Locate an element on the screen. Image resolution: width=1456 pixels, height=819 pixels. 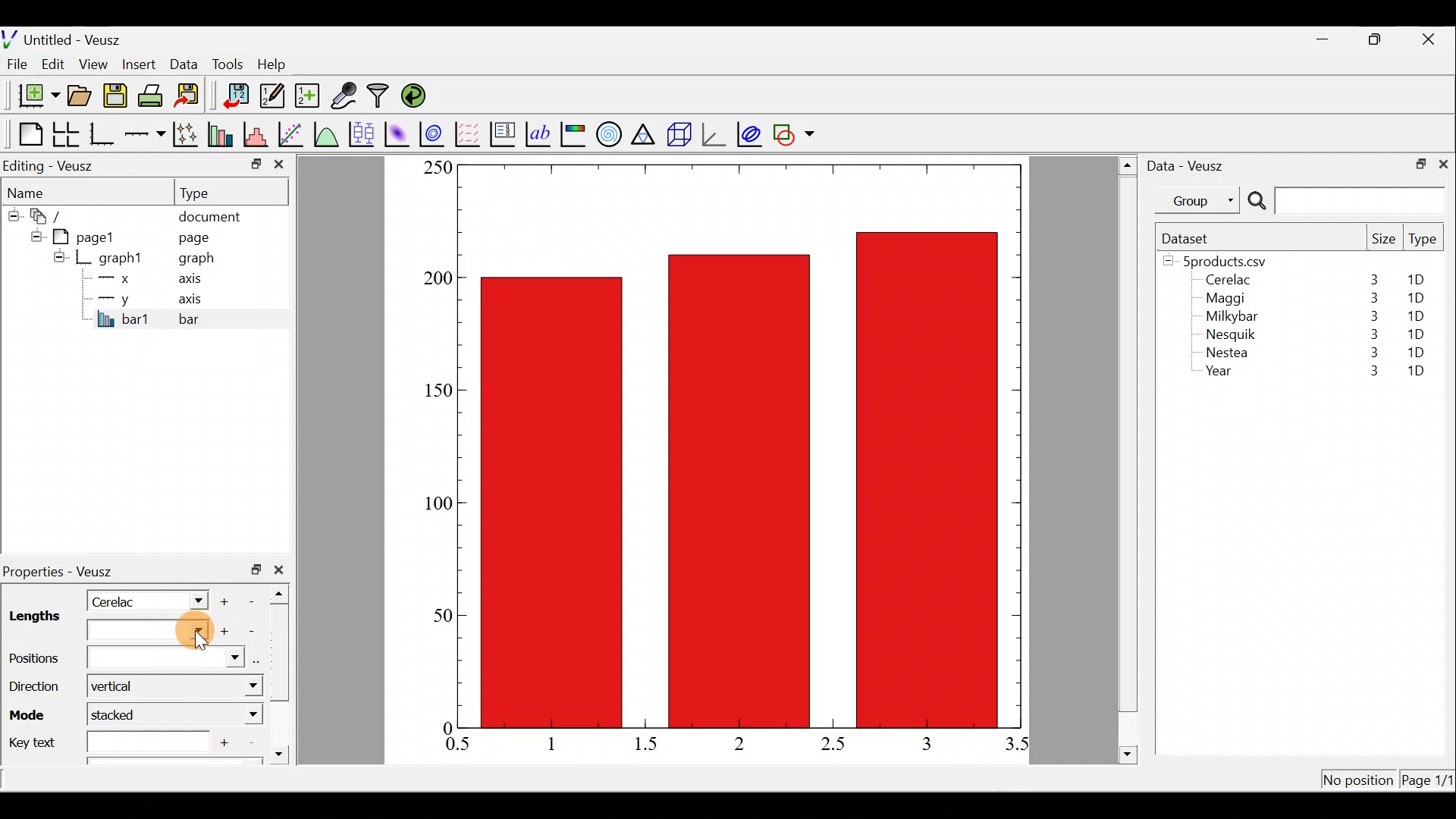
3.5 is located at coordinates (1018, 747).